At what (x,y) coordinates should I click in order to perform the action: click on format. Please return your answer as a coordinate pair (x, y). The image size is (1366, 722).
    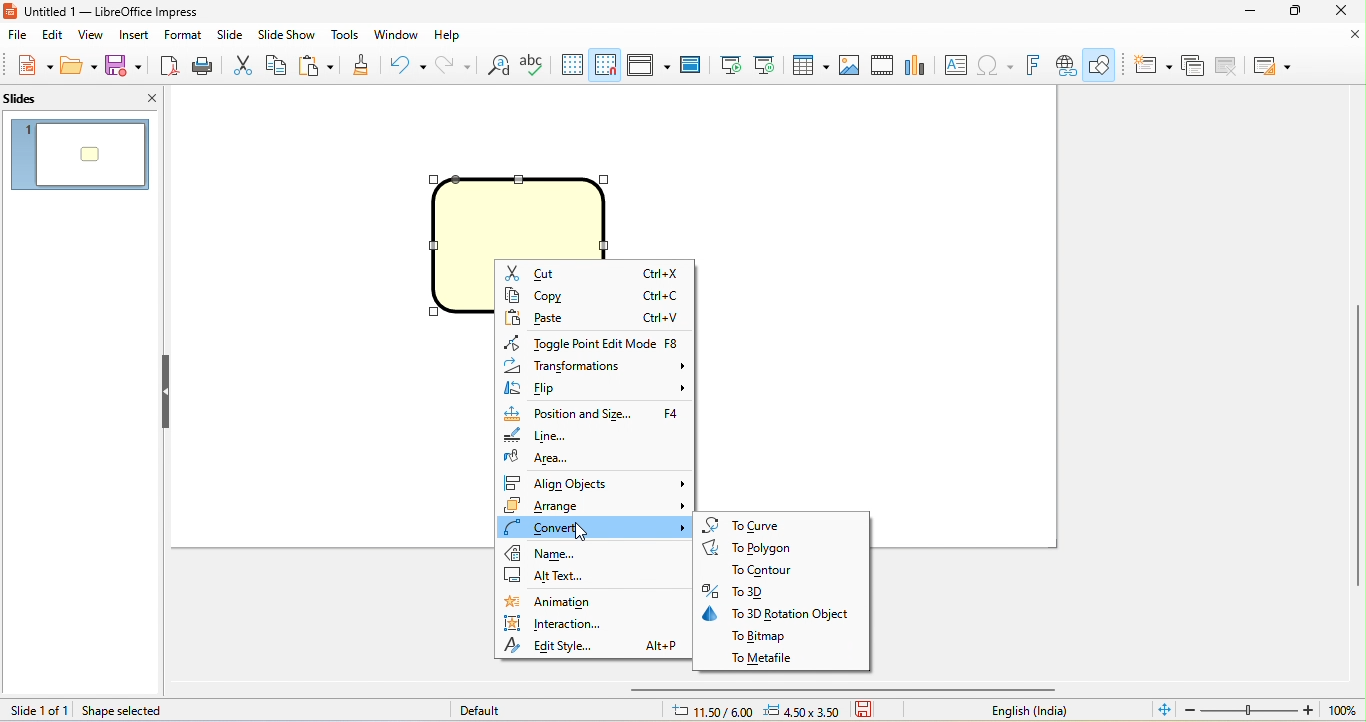
    Looking at the image, I should click on (184, 35).